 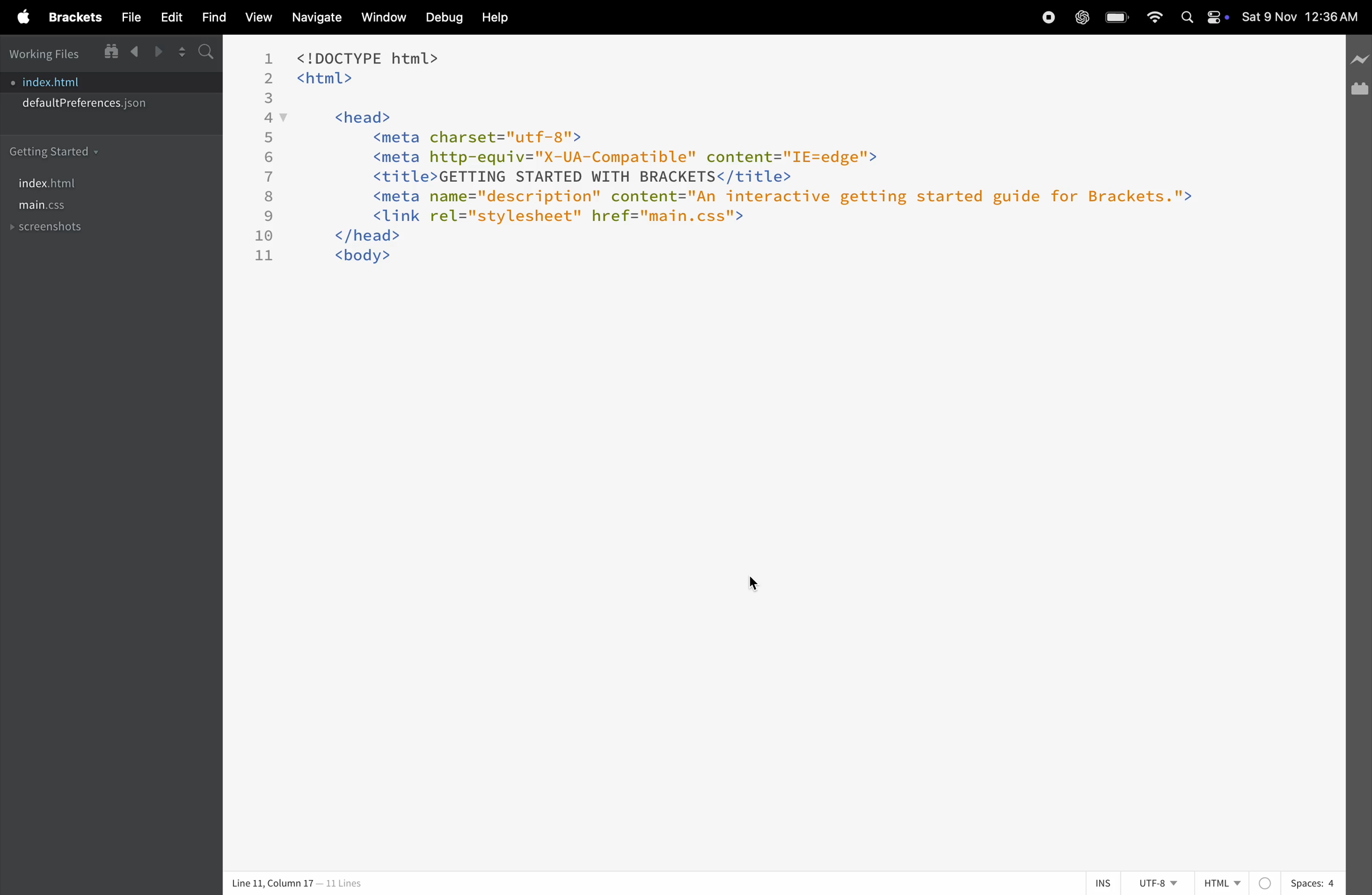 What do you see at coordinates (1081, 18) in the screenshot?
I see `chatgpt` at bounding box center [1081, 18].